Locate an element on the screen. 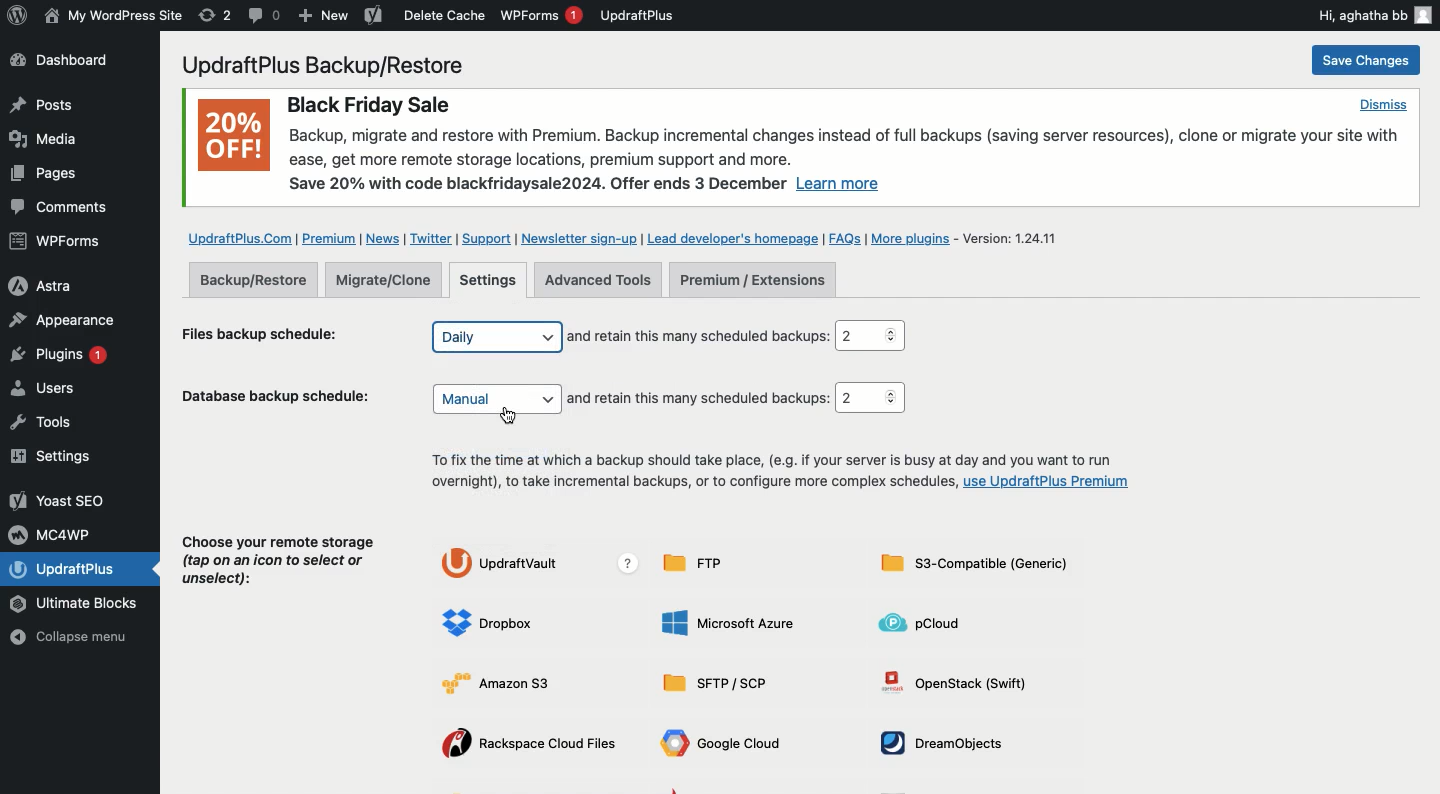 The width and height of the screenshot is (1440, 794). 2 is located at coordinates (874, 336).